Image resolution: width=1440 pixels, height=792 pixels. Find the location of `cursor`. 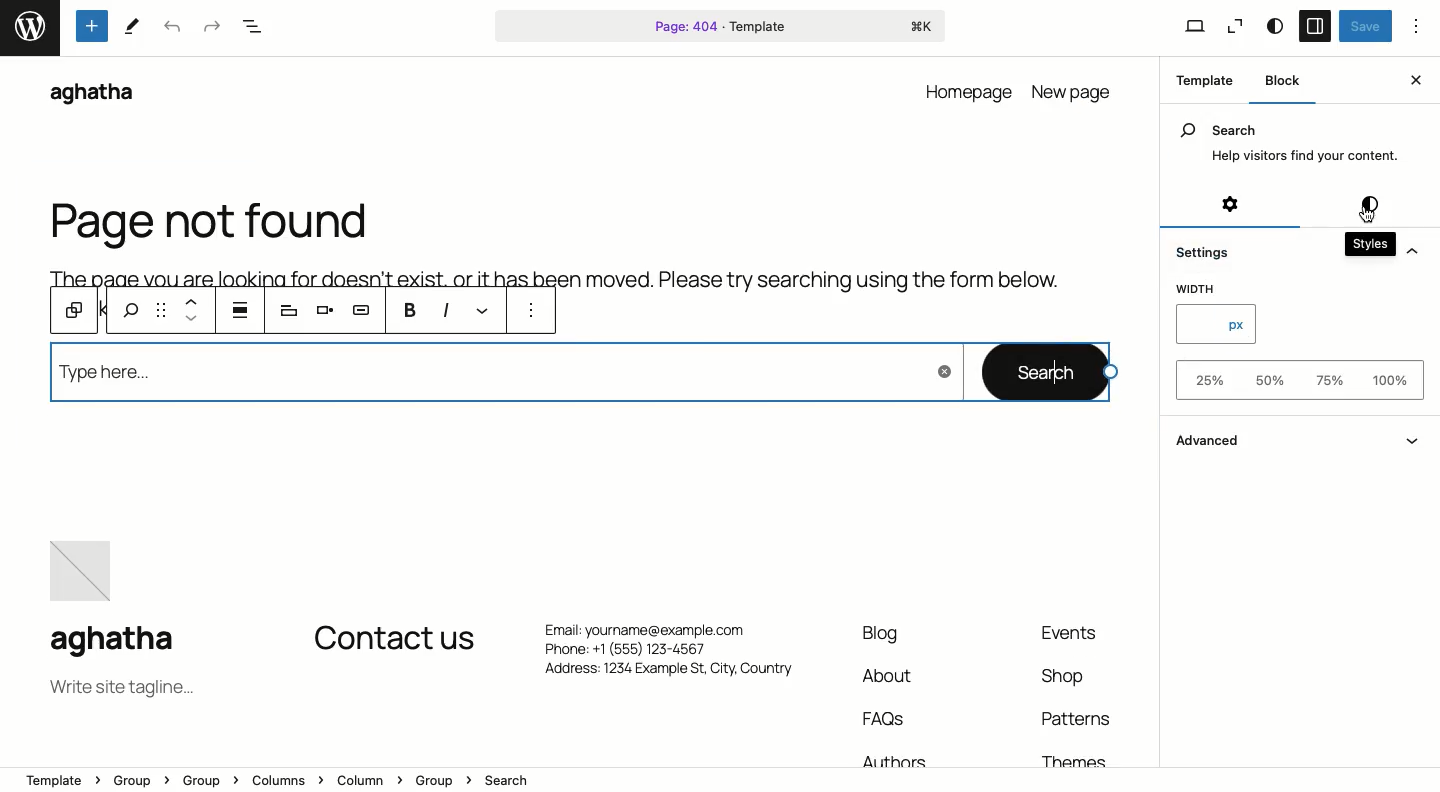

cursor is located at coordinates (1117, 373).